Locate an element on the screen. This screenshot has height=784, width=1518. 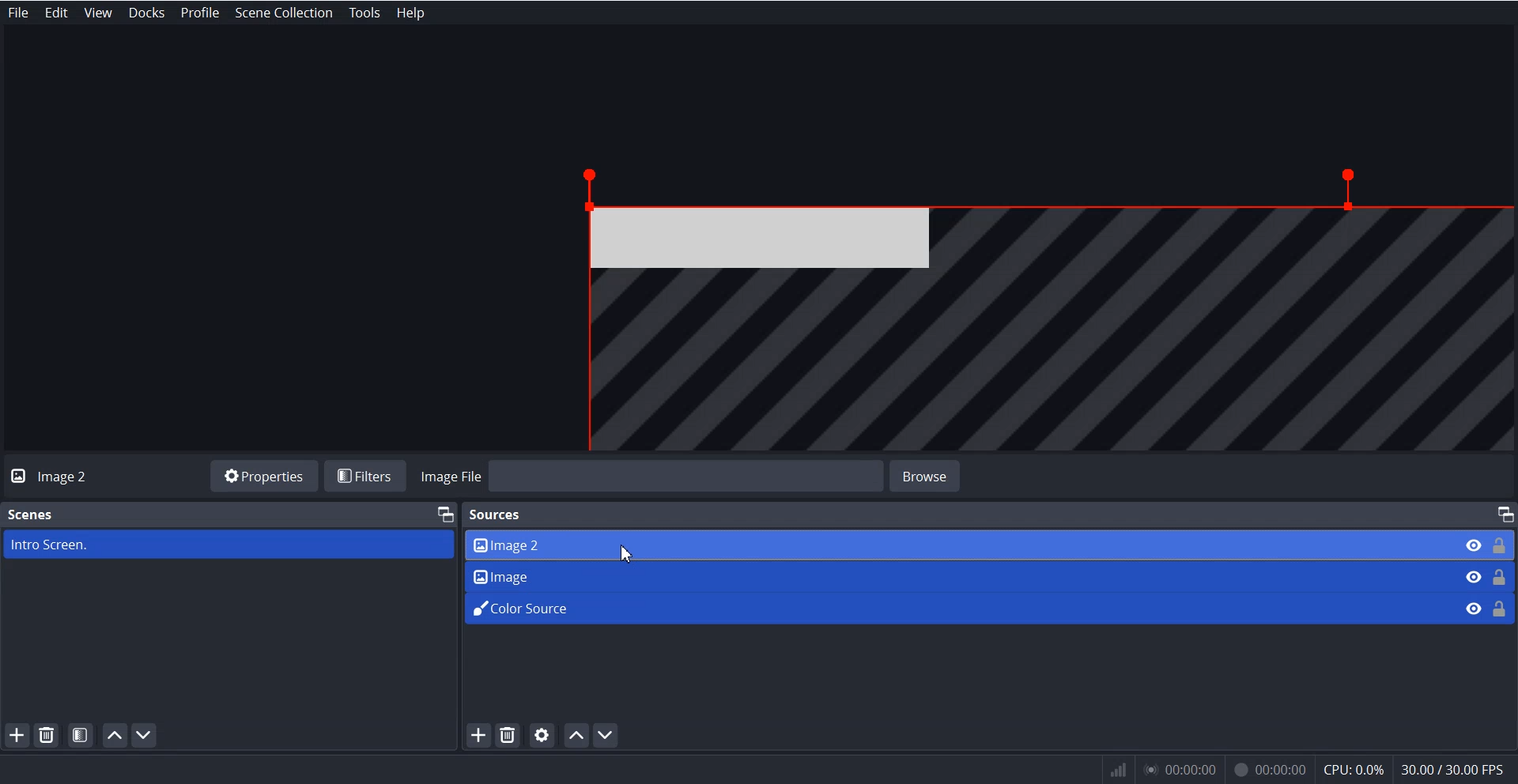
Remove Selected Source is located at coordinates (508, 736).